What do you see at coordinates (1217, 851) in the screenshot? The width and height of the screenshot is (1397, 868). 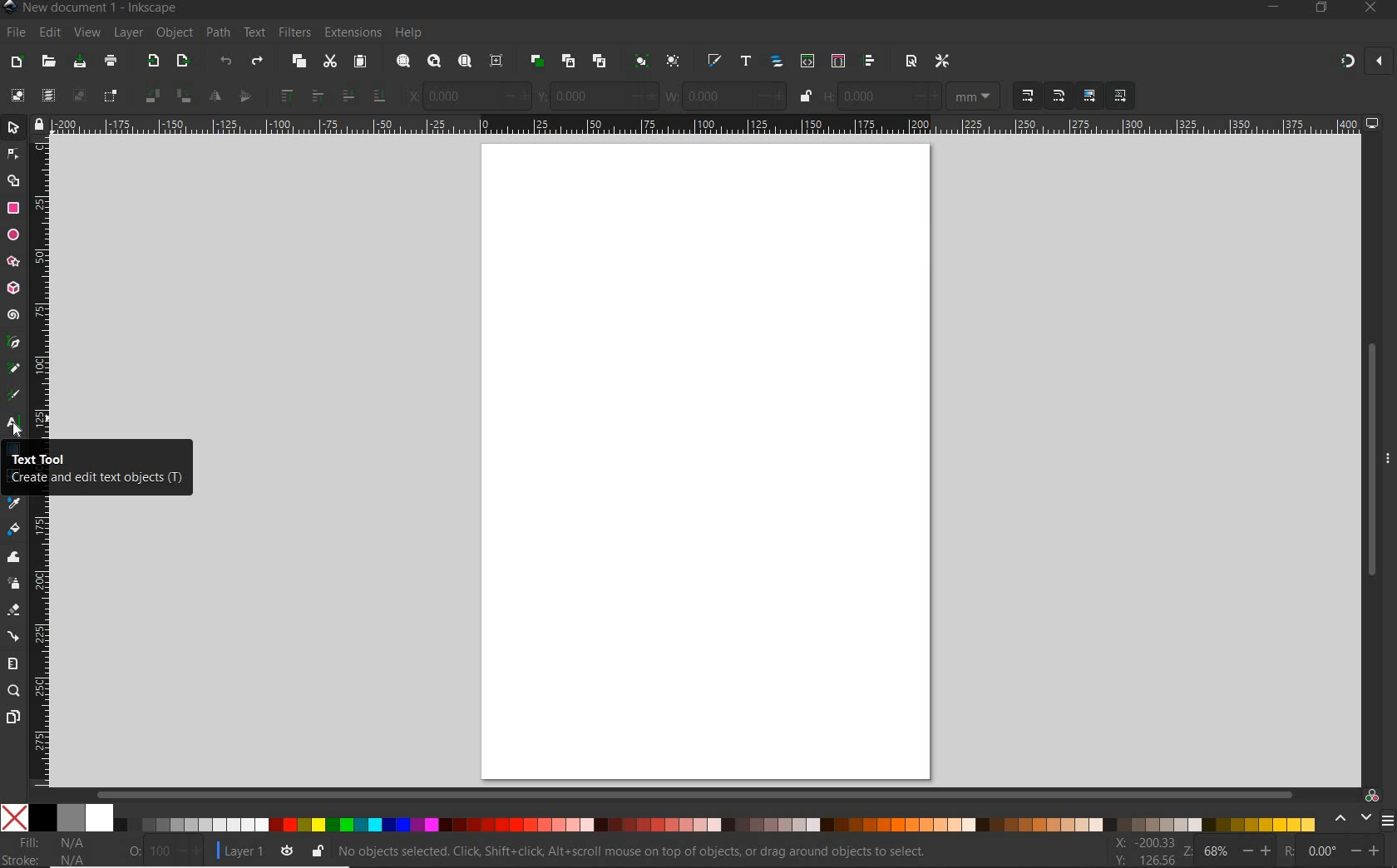 I see `68` at bounding box center [1217, 851].